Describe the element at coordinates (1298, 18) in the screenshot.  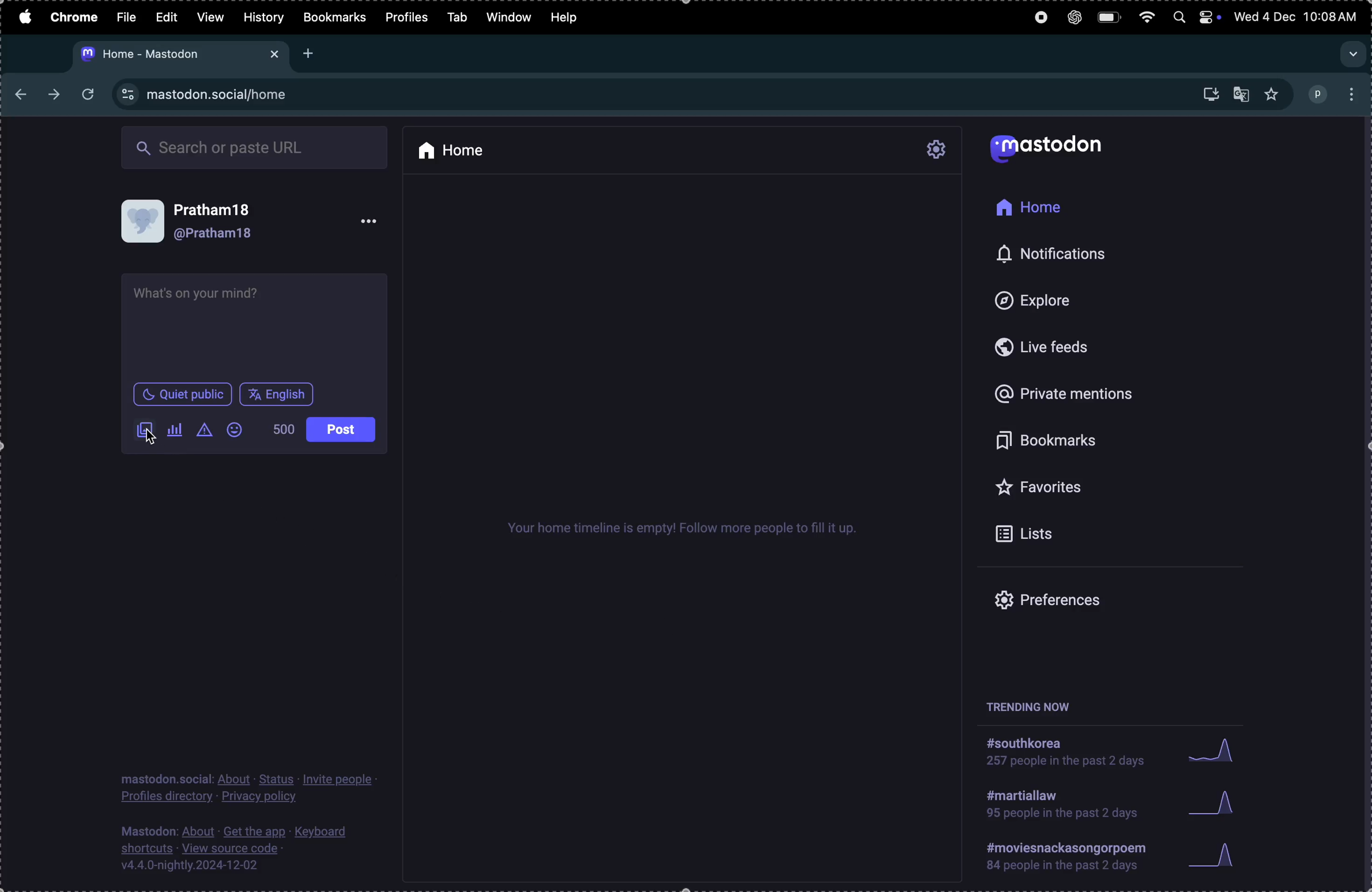
I see `date and time` at that location.